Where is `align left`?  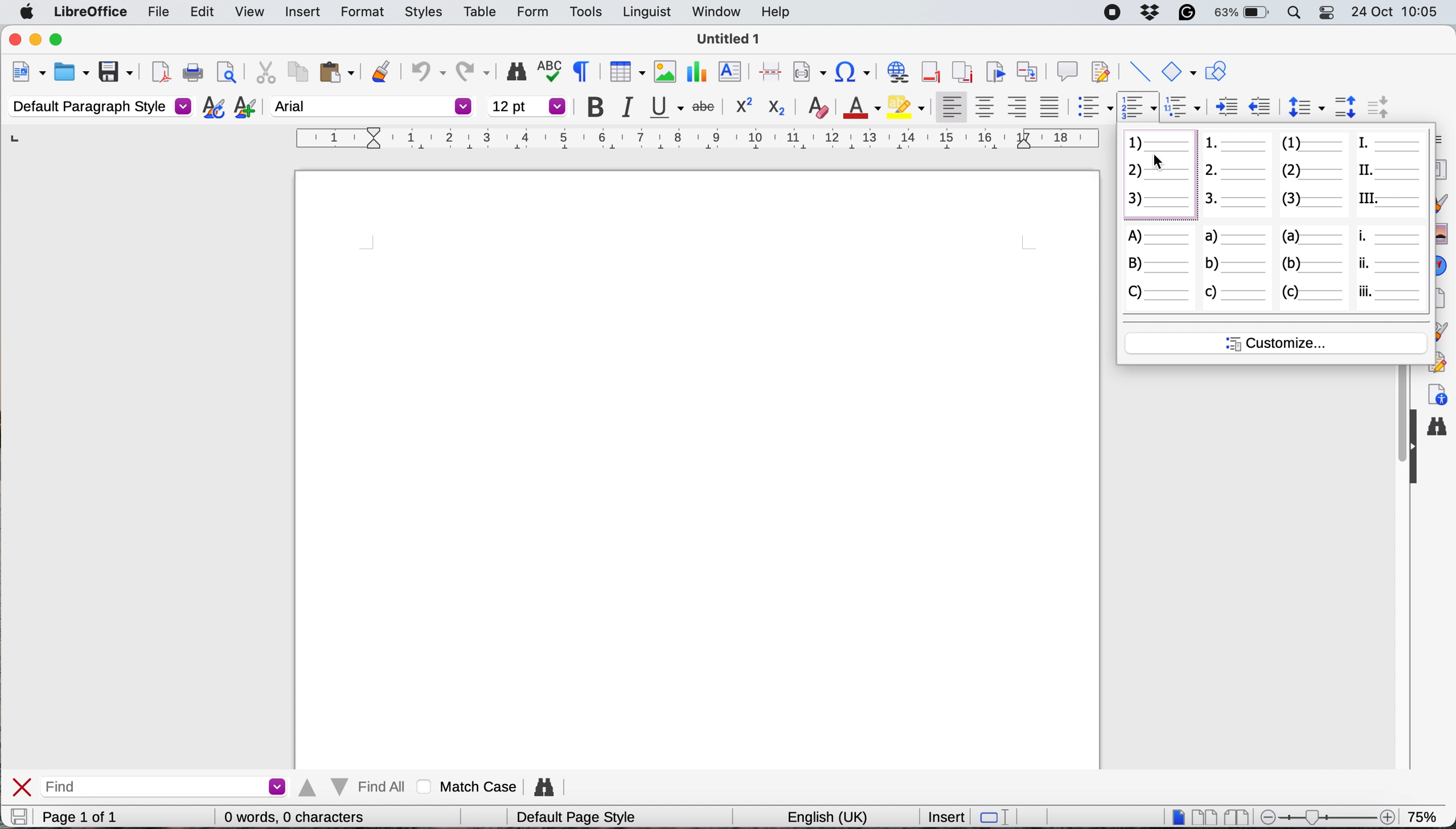 align left is located at coordinates (951, 104).